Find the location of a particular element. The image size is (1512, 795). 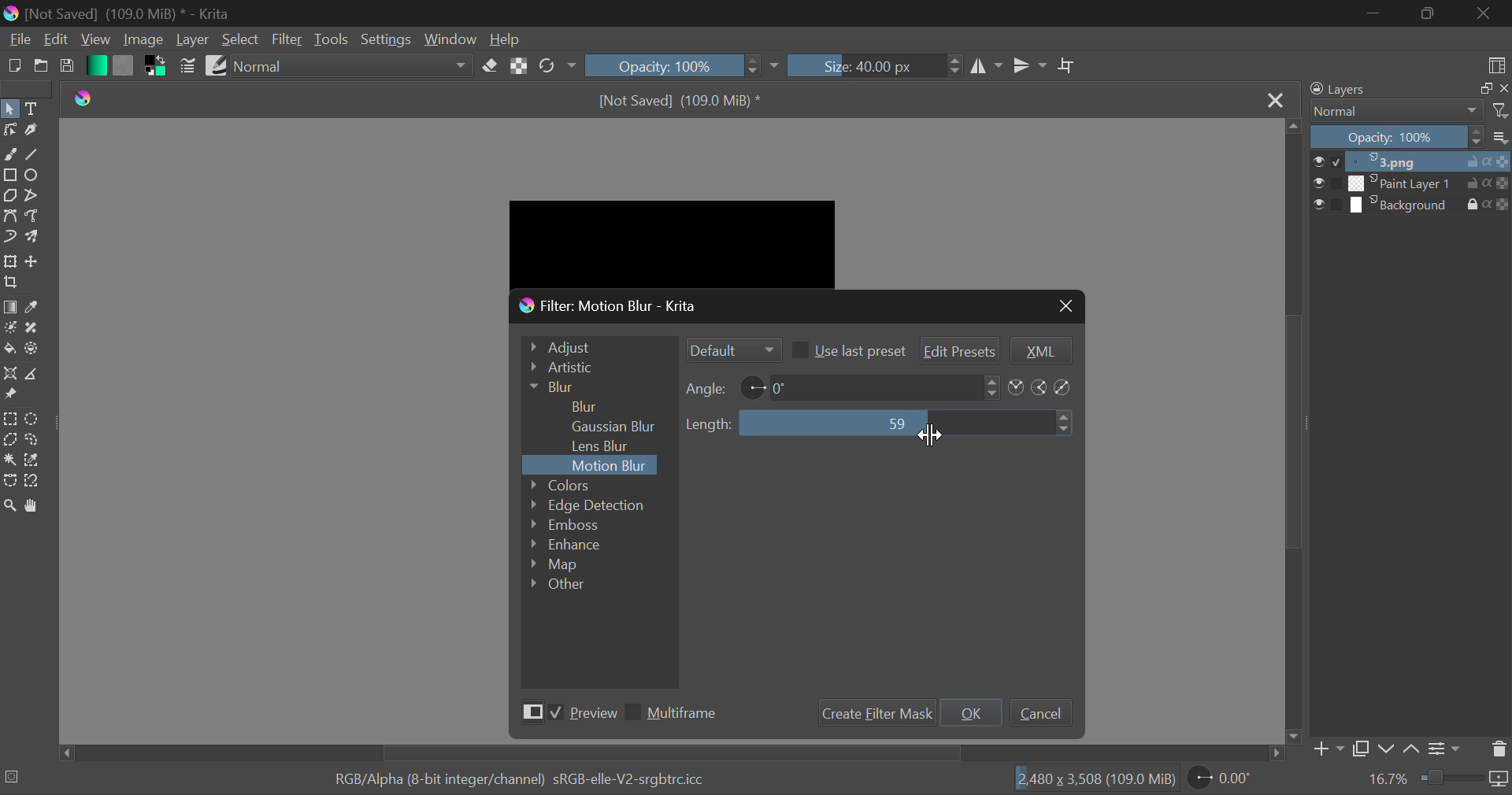

RGB/Alpha (8-bit integer/channel) sRGB-elle-V2-srgbtrc.icc is located at coordinates (506, 776).